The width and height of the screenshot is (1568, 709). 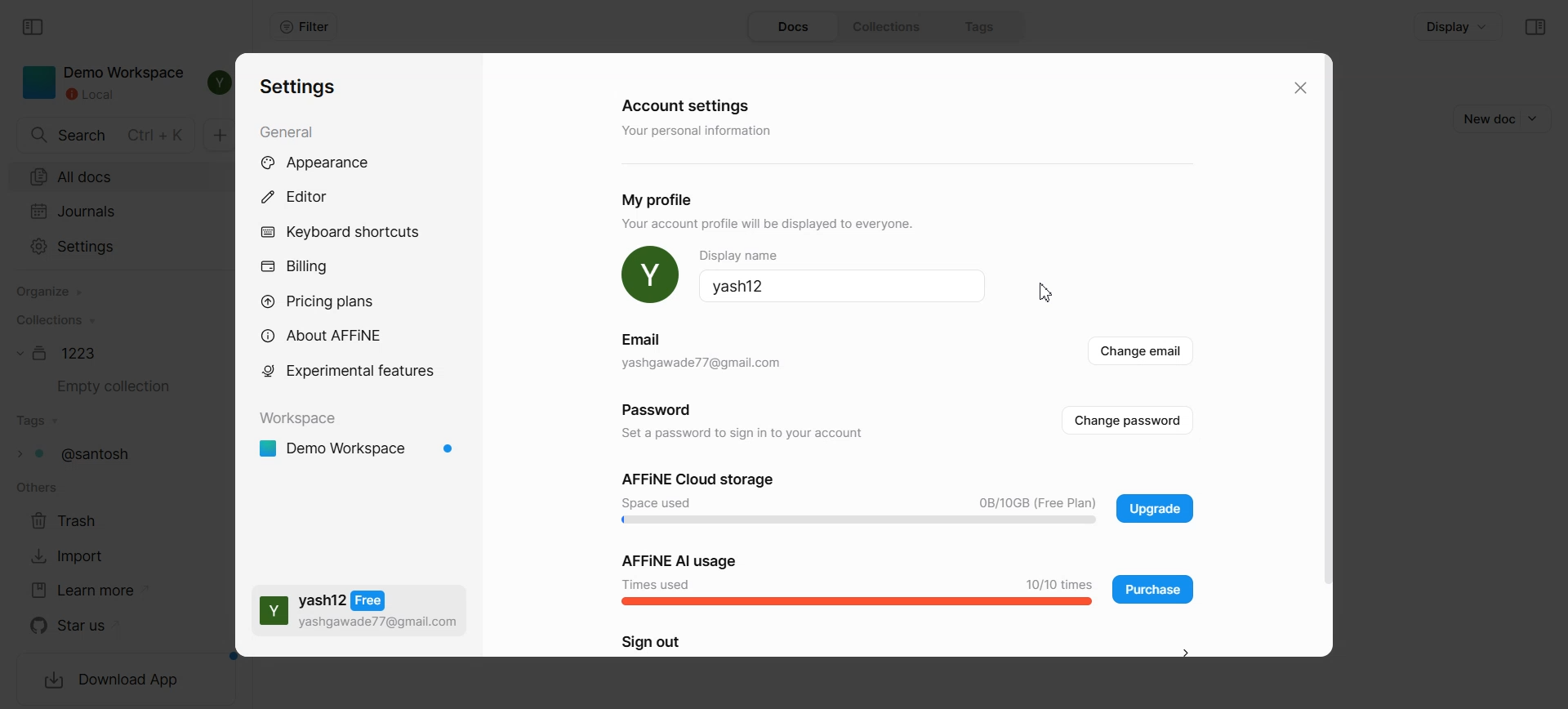 I want to click on Journals, so click(x=110, y=211).